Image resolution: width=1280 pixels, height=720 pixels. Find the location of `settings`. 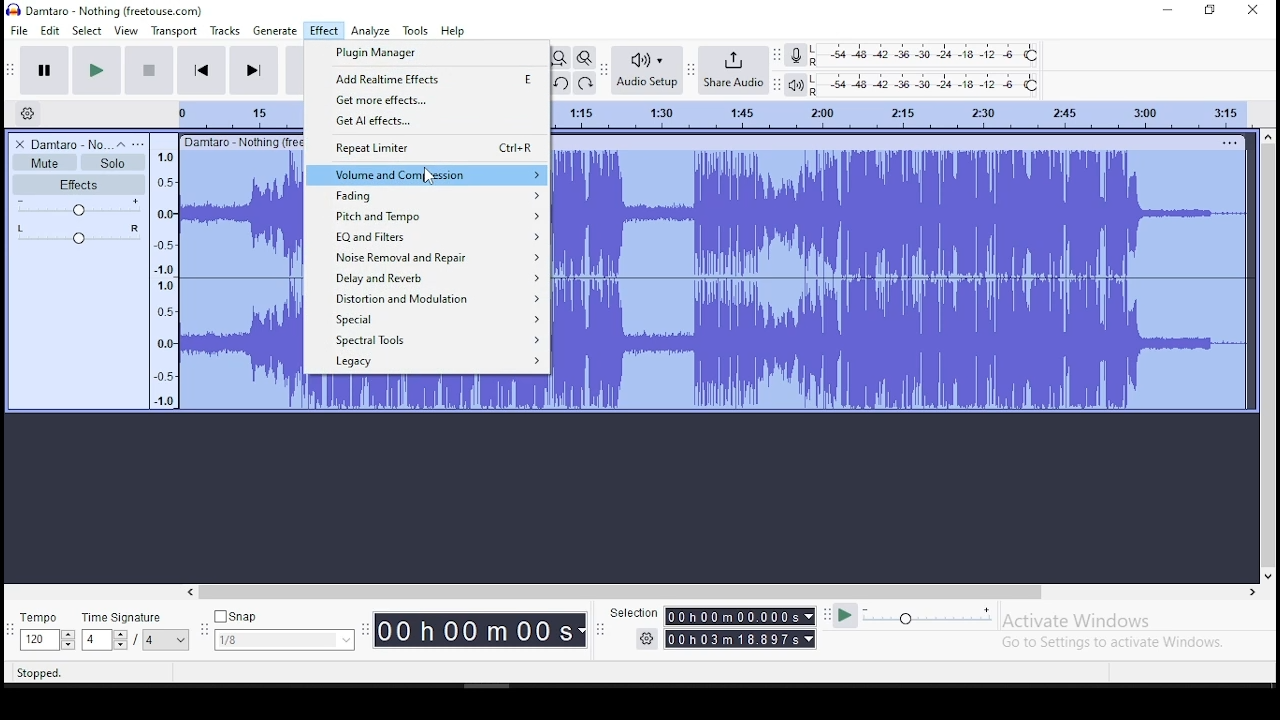

settings is located at coordinates (646, 640).